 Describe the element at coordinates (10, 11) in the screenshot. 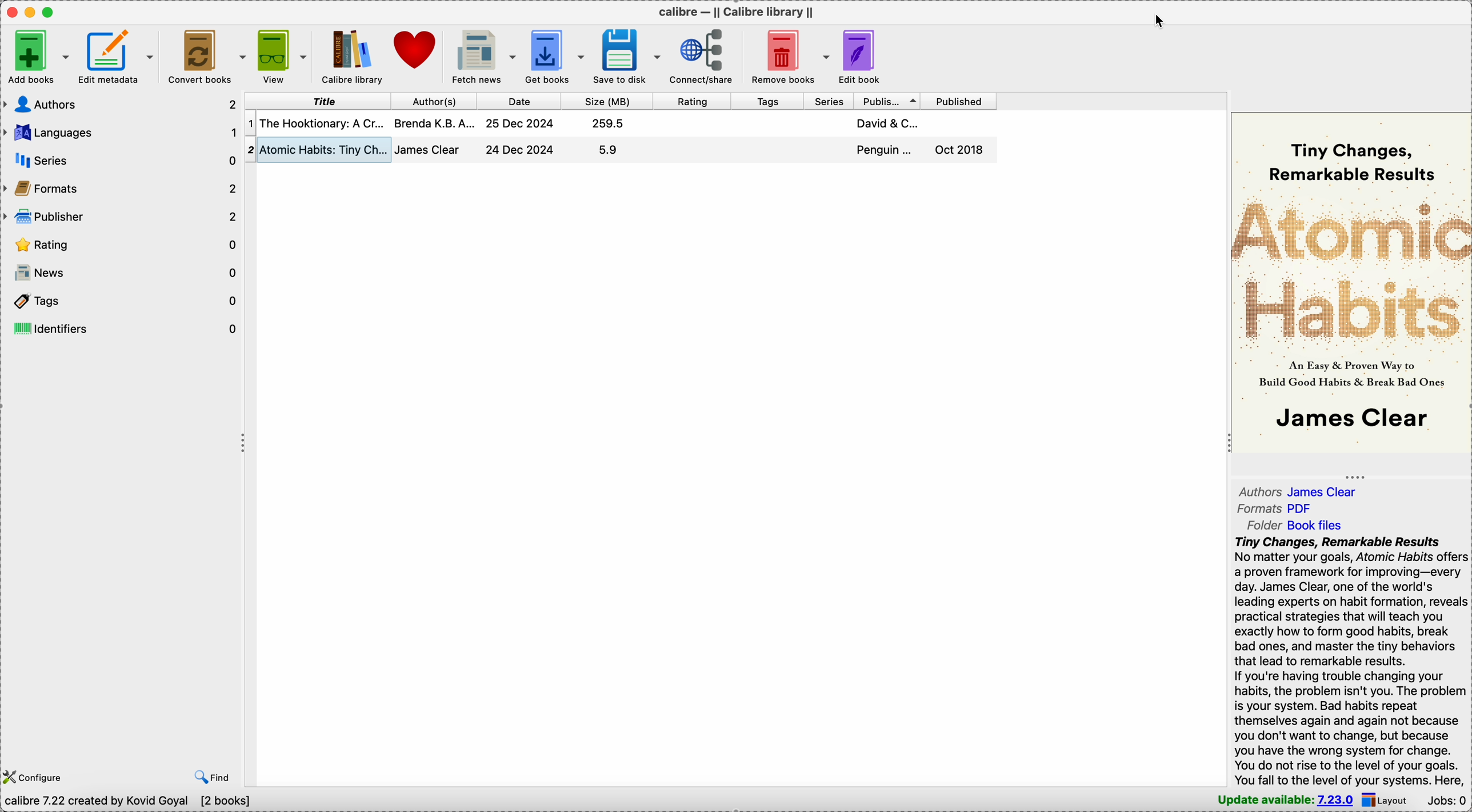

I see `close Calibre` at that location.